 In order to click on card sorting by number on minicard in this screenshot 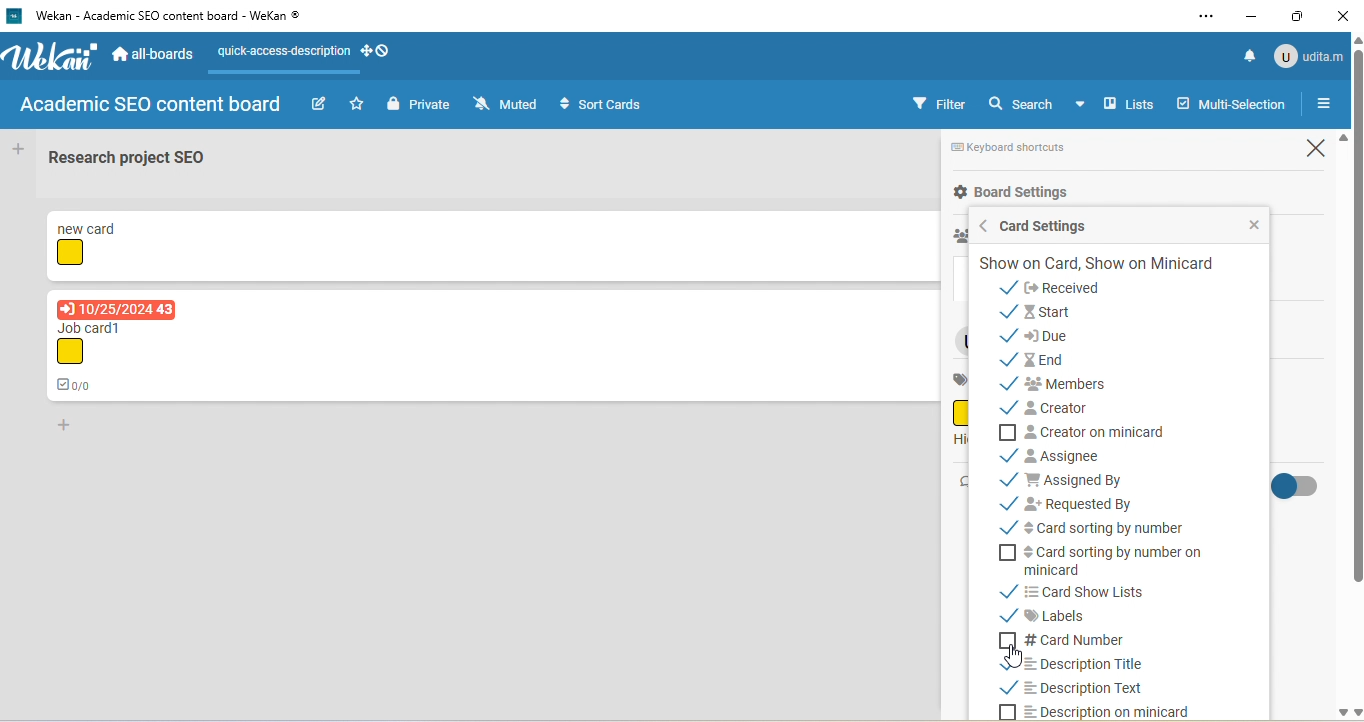, I will do `click(1107, 562)`.